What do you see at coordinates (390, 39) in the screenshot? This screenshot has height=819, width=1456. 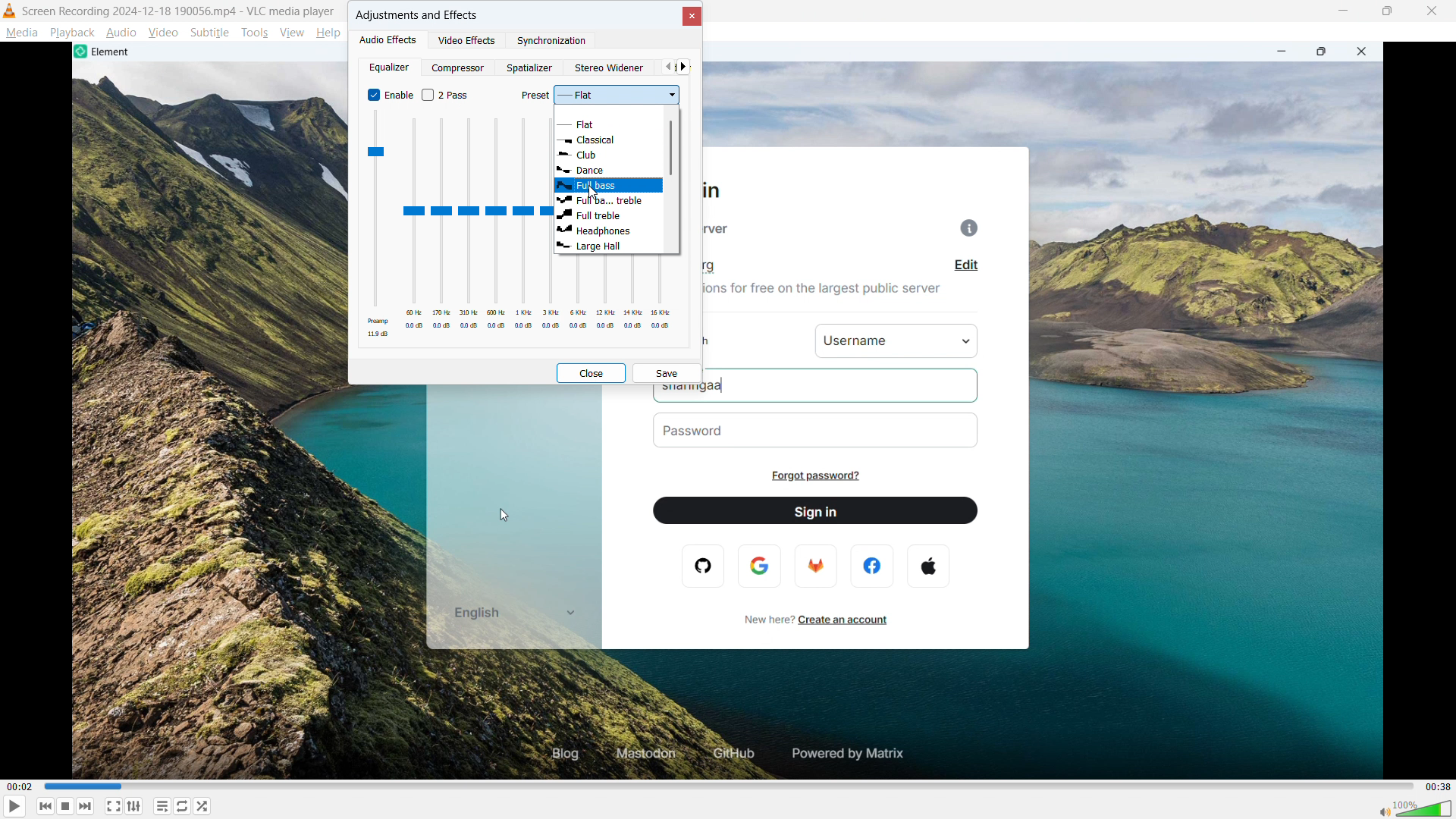 I see `Audio effects` at bounding box center [390, 39].